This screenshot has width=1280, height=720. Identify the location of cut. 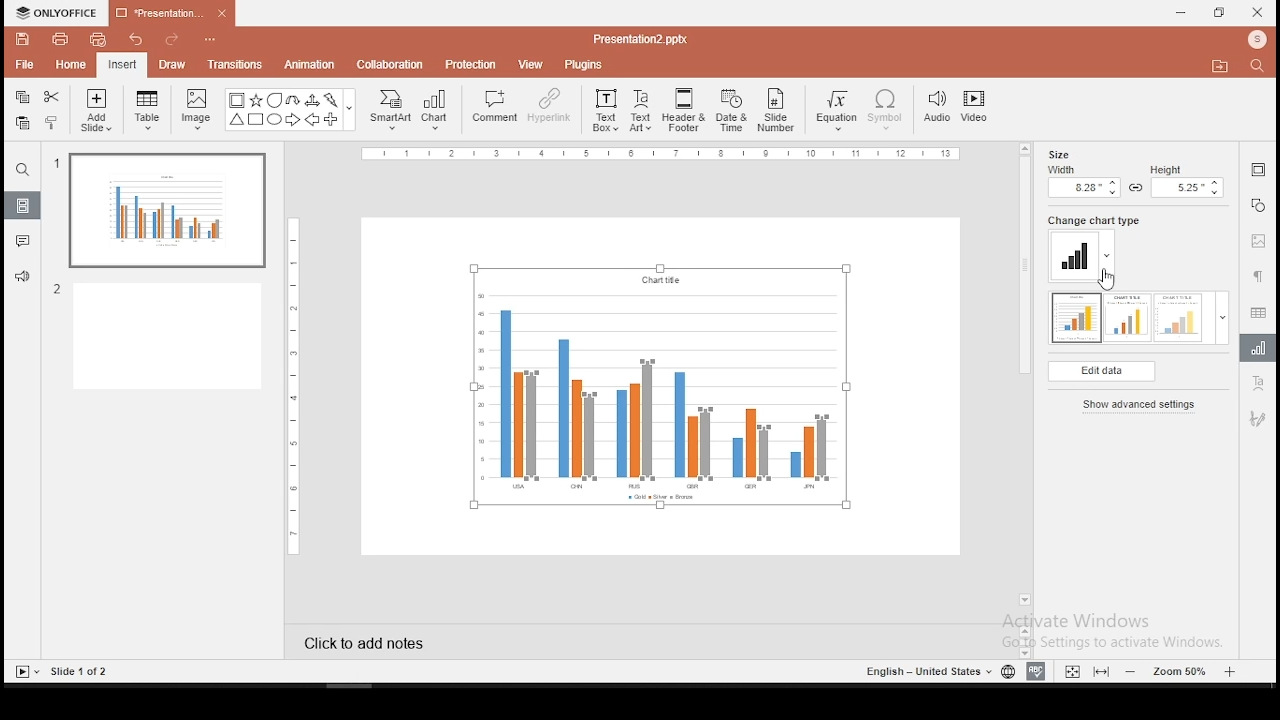
(52, 97).